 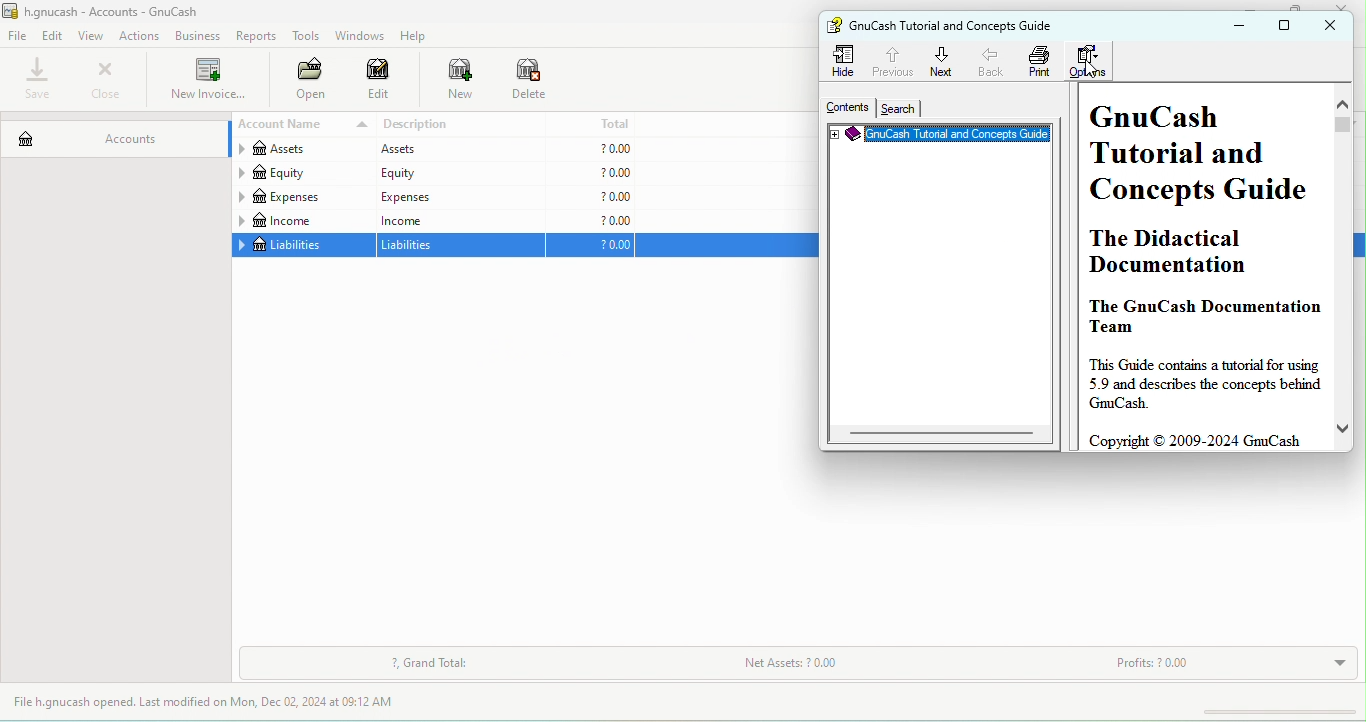 I want to click on the didactical documentation, so click(x=1193, y=252).